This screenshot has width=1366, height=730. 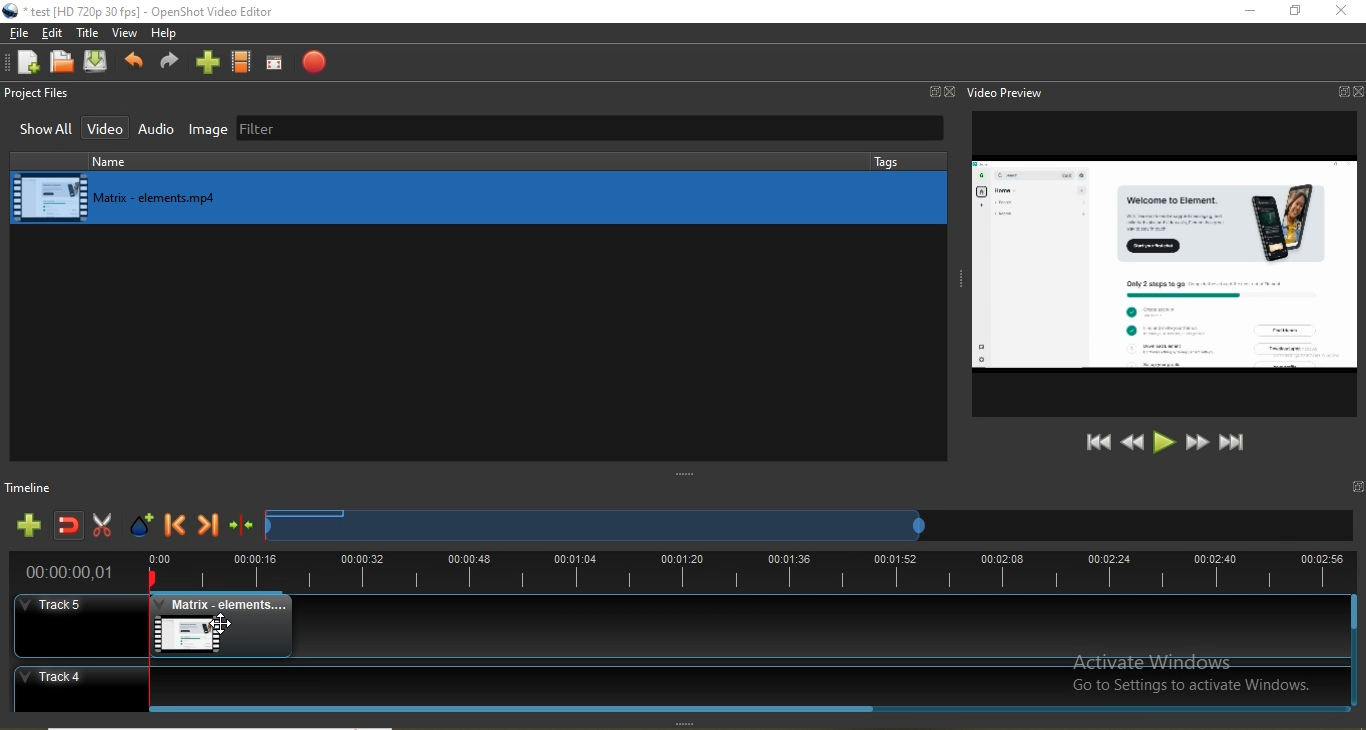 I want to click on Horizontal Scroll bar, so click(x=520, y=712).